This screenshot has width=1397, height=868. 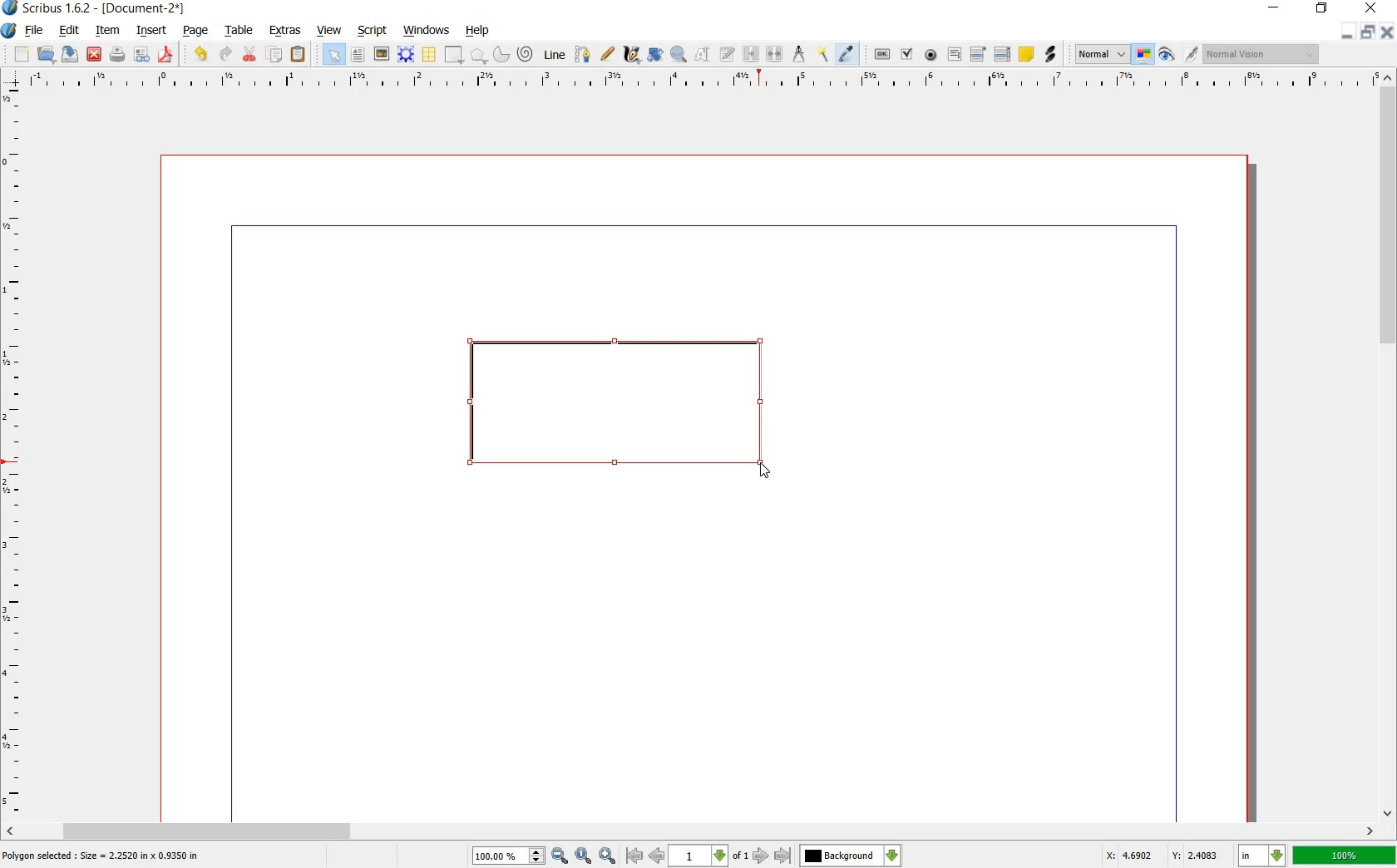 What do you see at coordinates (583, 856) in the screenshot?
I see `zoom to` at bounding box center [583, 856].